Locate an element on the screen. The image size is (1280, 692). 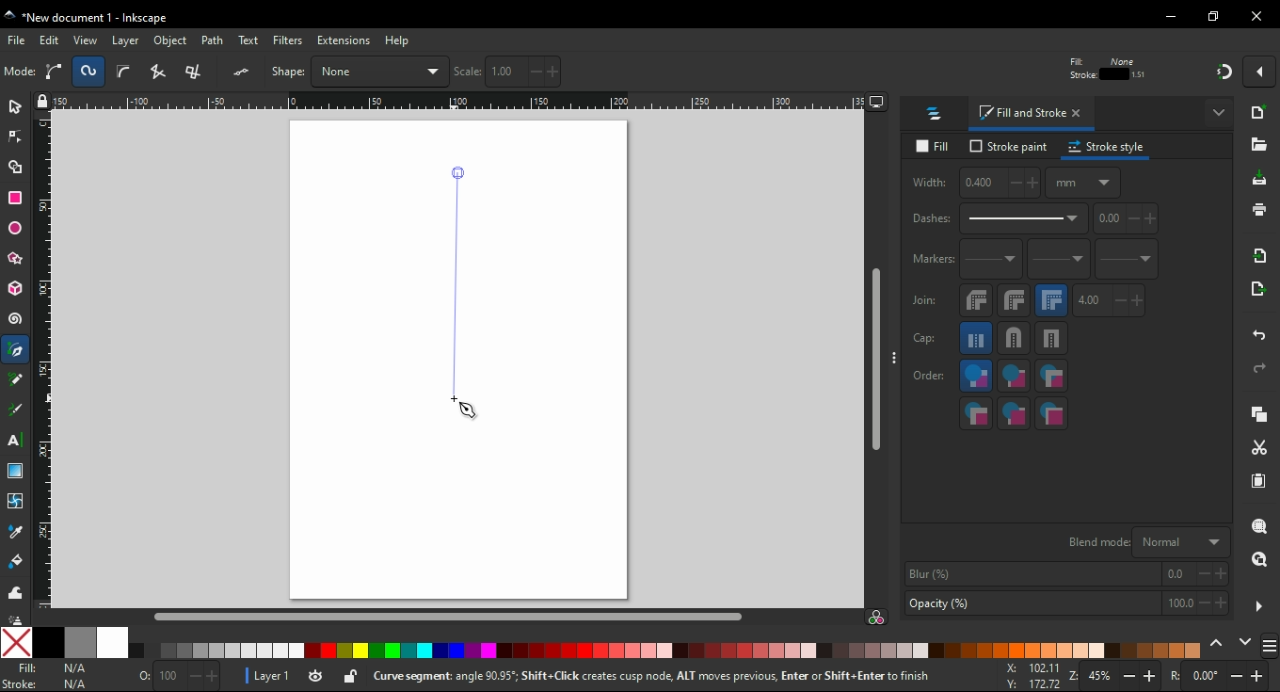
pencil is located at coordinates (16, 379).